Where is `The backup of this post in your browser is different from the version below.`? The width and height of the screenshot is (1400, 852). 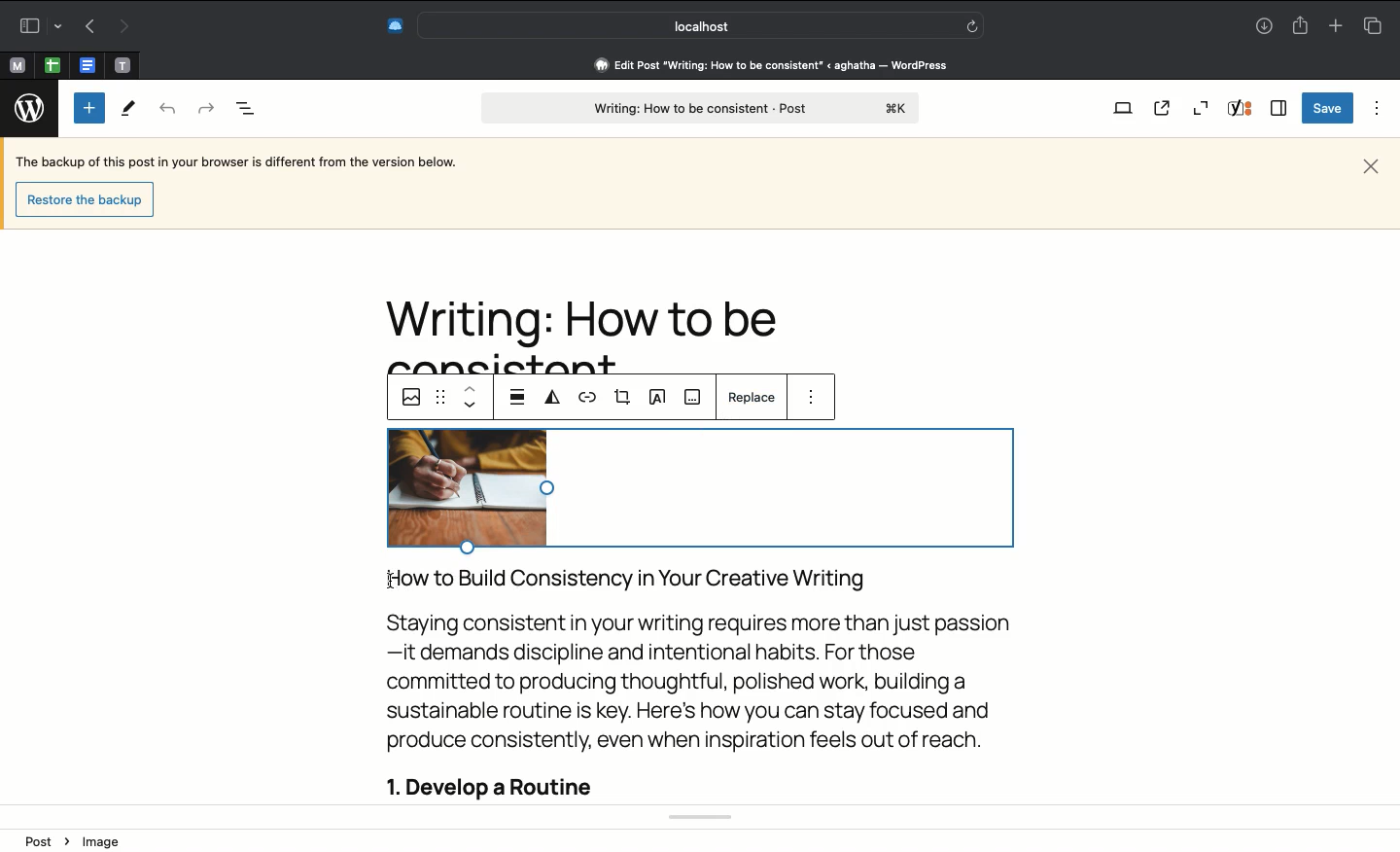
The backup of this post in your browser is different from the version below. is located at coordinates (243, 160).